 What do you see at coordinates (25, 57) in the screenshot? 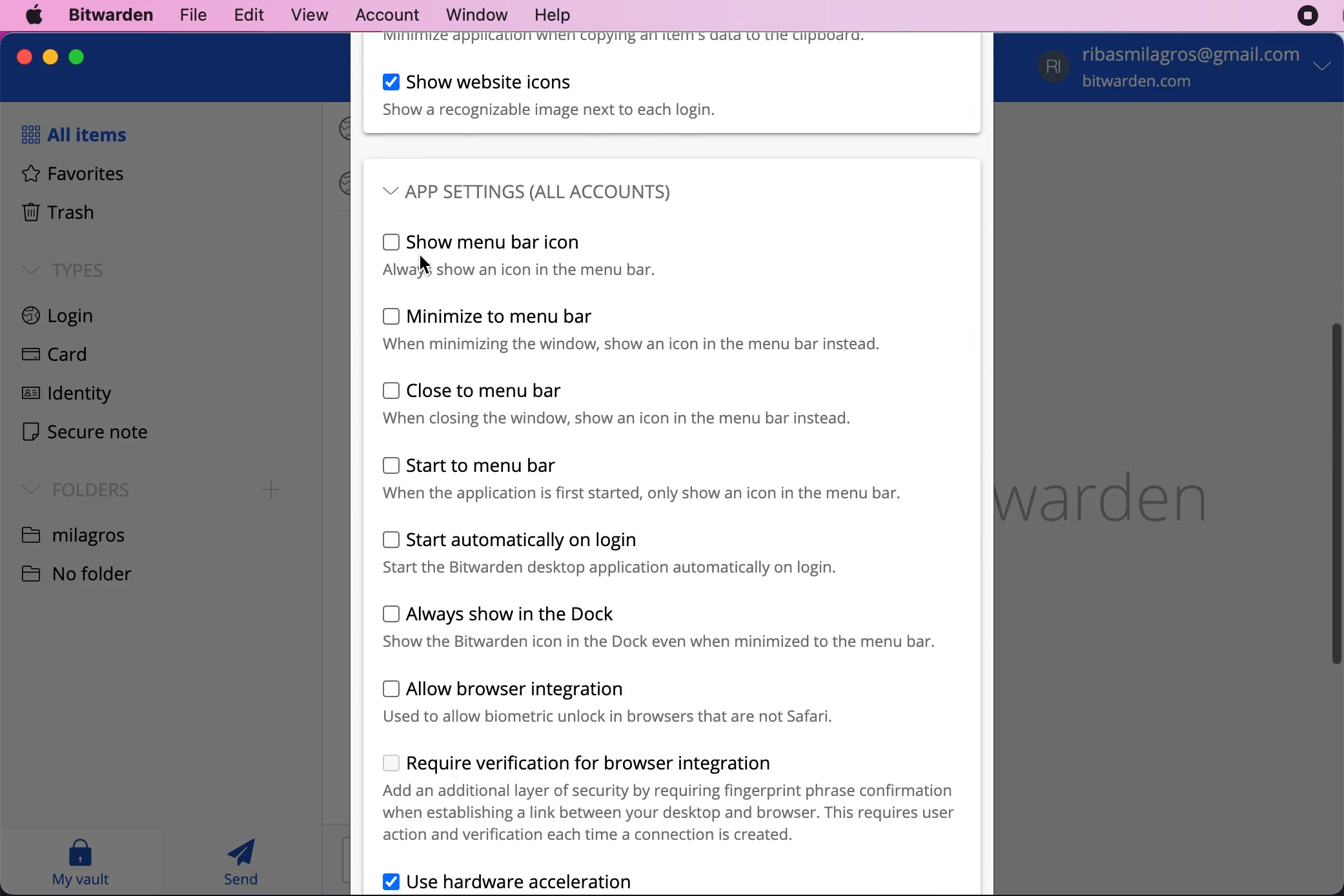
I see `close` at bounding box center [25, 57].